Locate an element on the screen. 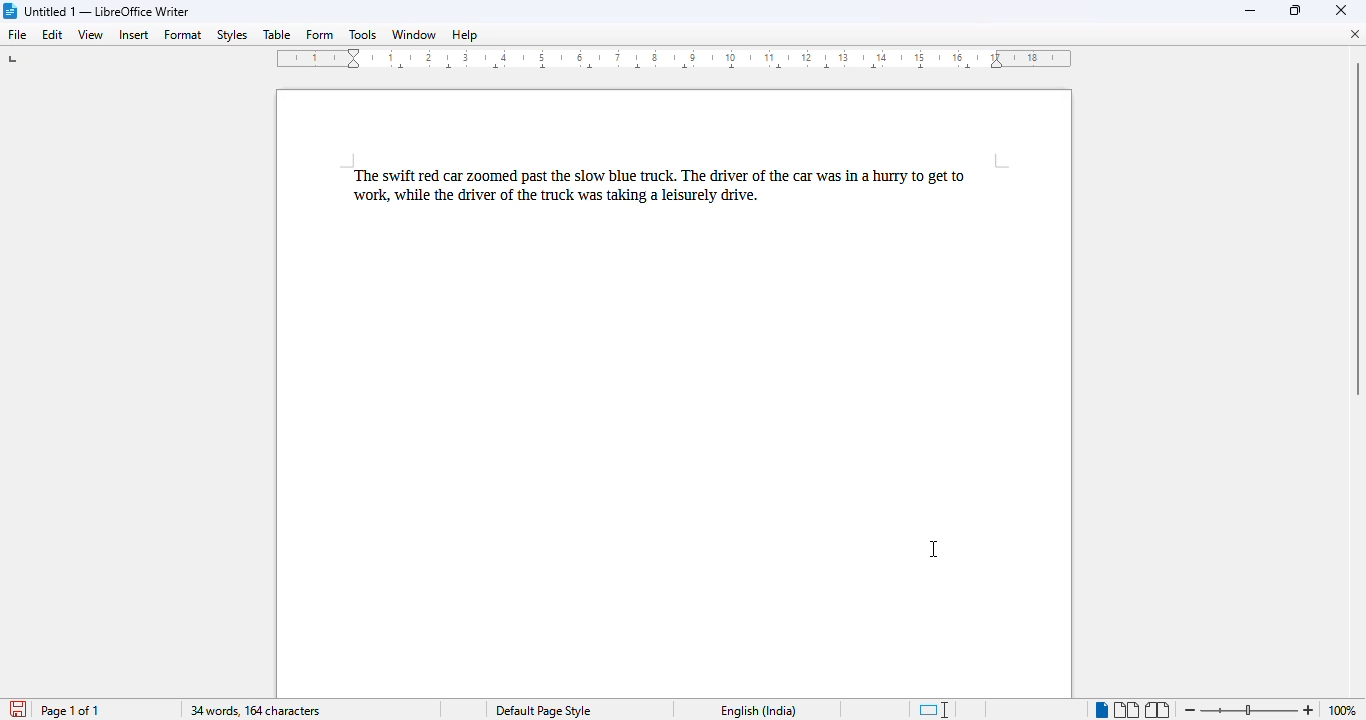 Image resolution: width=1366 pixels, height=720 pixels. Untitled 1 -- LibreOffice Writer is located at coordinates (108, 13).